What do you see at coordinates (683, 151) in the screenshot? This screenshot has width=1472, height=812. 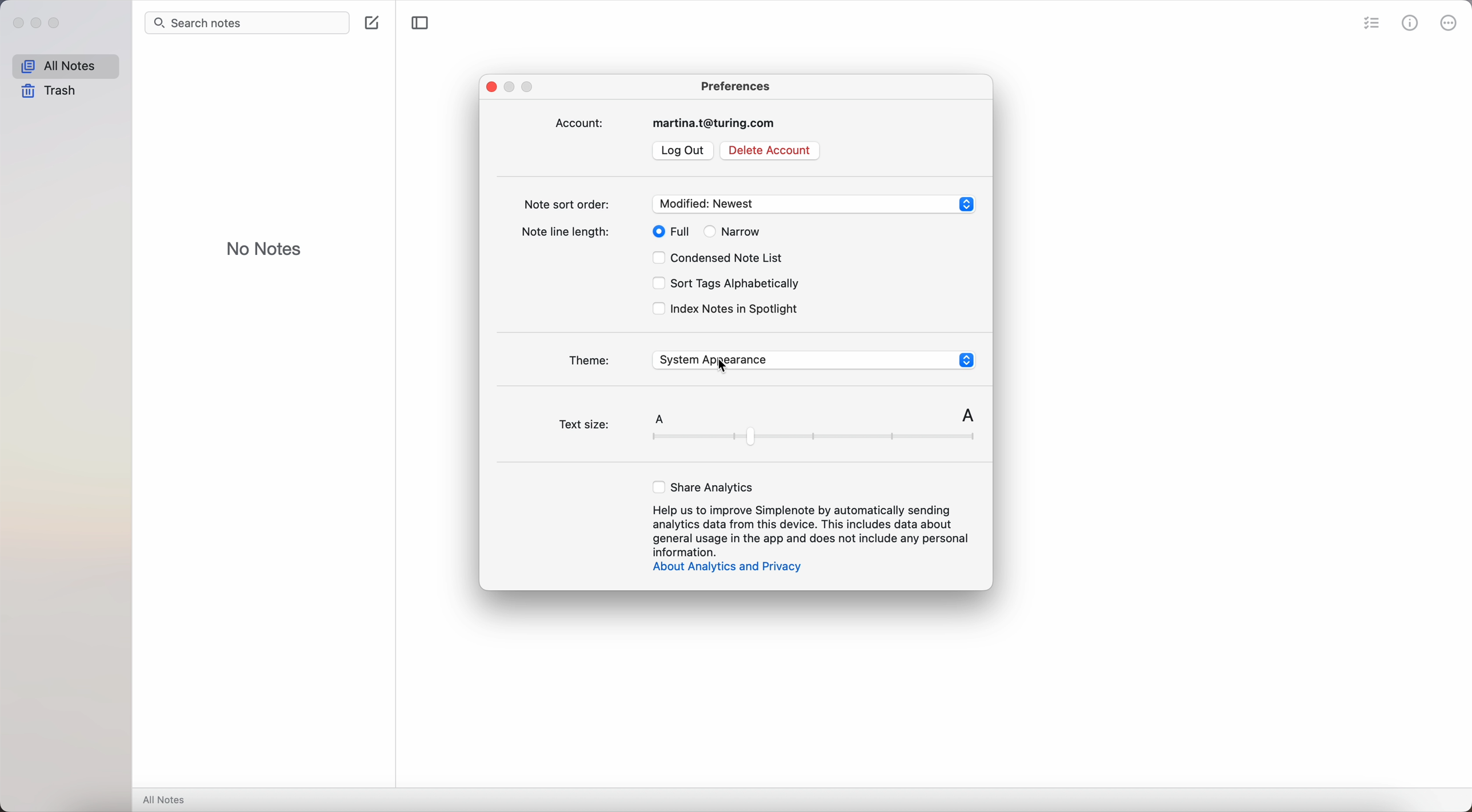 I see `log out` at bounding box center [683, 151].